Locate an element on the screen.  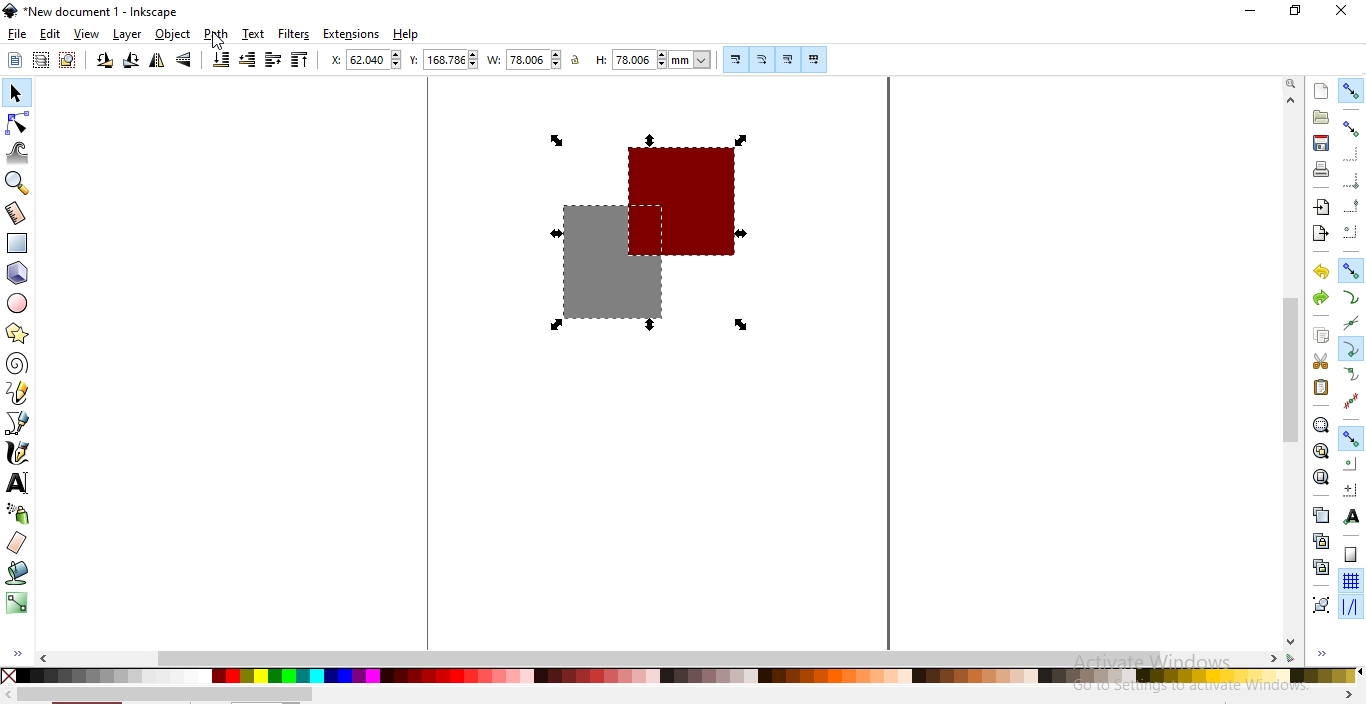
view is located at coordinates (87, 35).